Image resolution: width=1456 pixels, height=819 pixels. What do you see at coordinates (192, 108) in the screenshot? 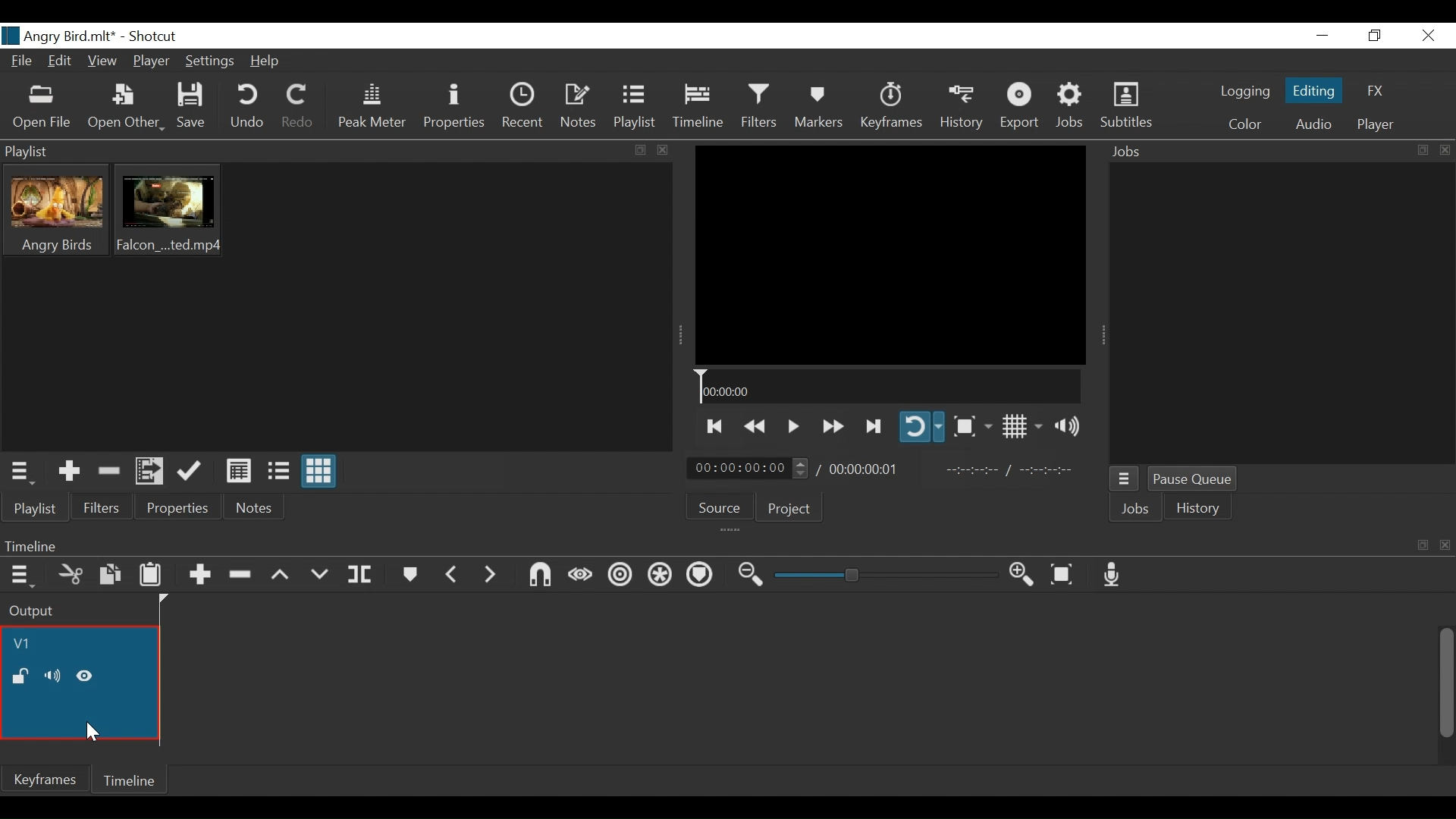
I see `Save` at bounding box center [192, 108].